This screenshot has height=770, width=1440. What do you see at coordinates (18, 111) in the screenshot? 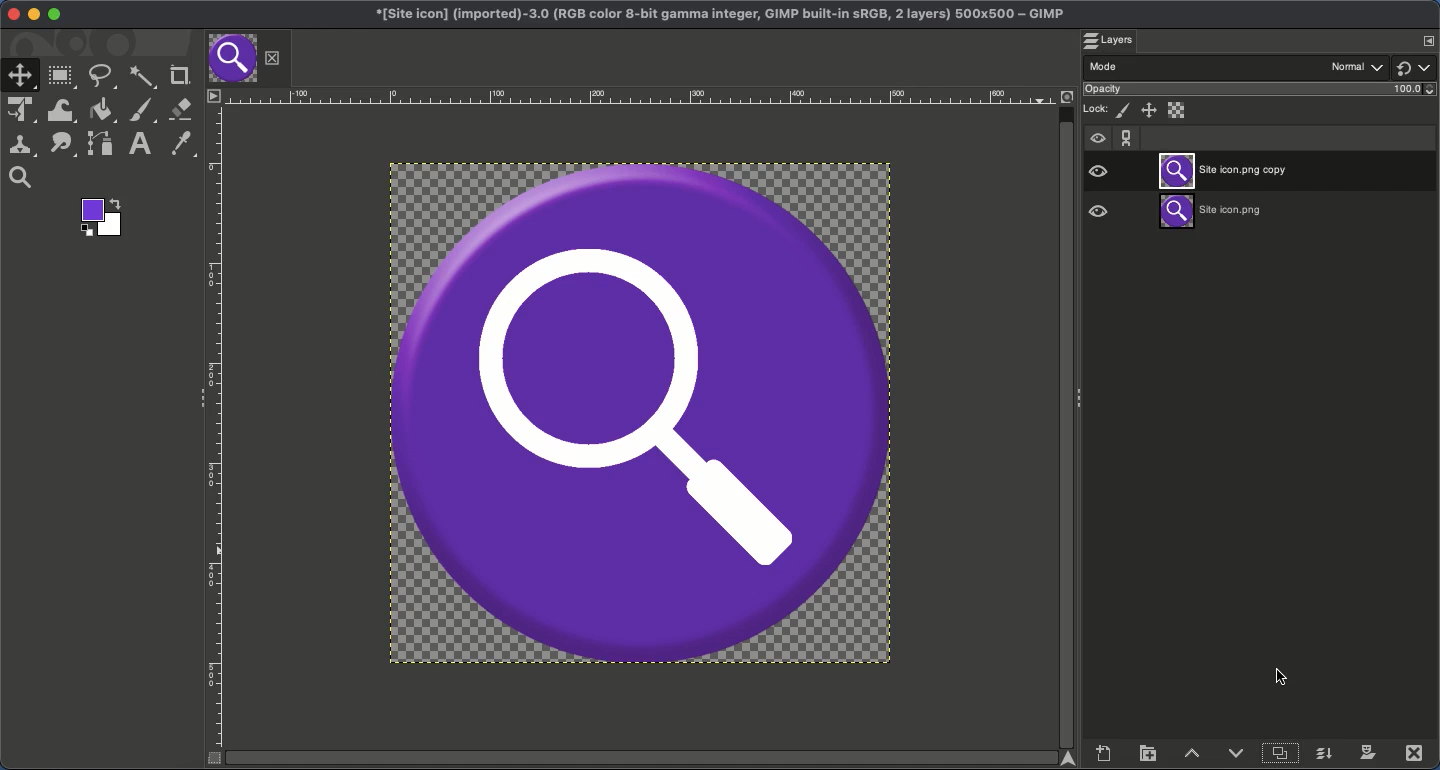
I see `Unified transformation` at bounding box center [18, 111].